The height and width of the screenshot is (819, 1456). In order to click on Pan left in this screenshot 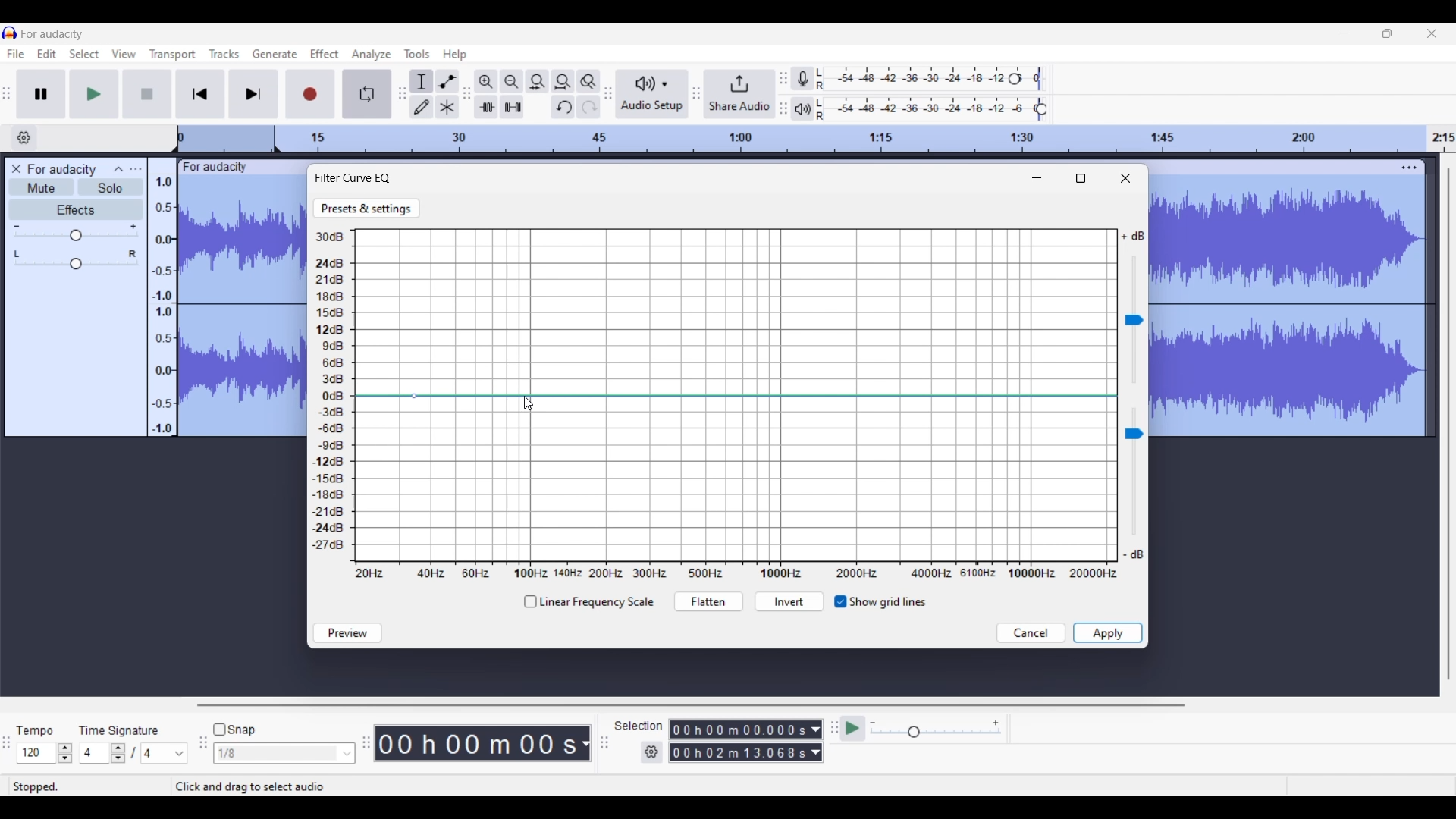, I will do `click(17, 254)`.